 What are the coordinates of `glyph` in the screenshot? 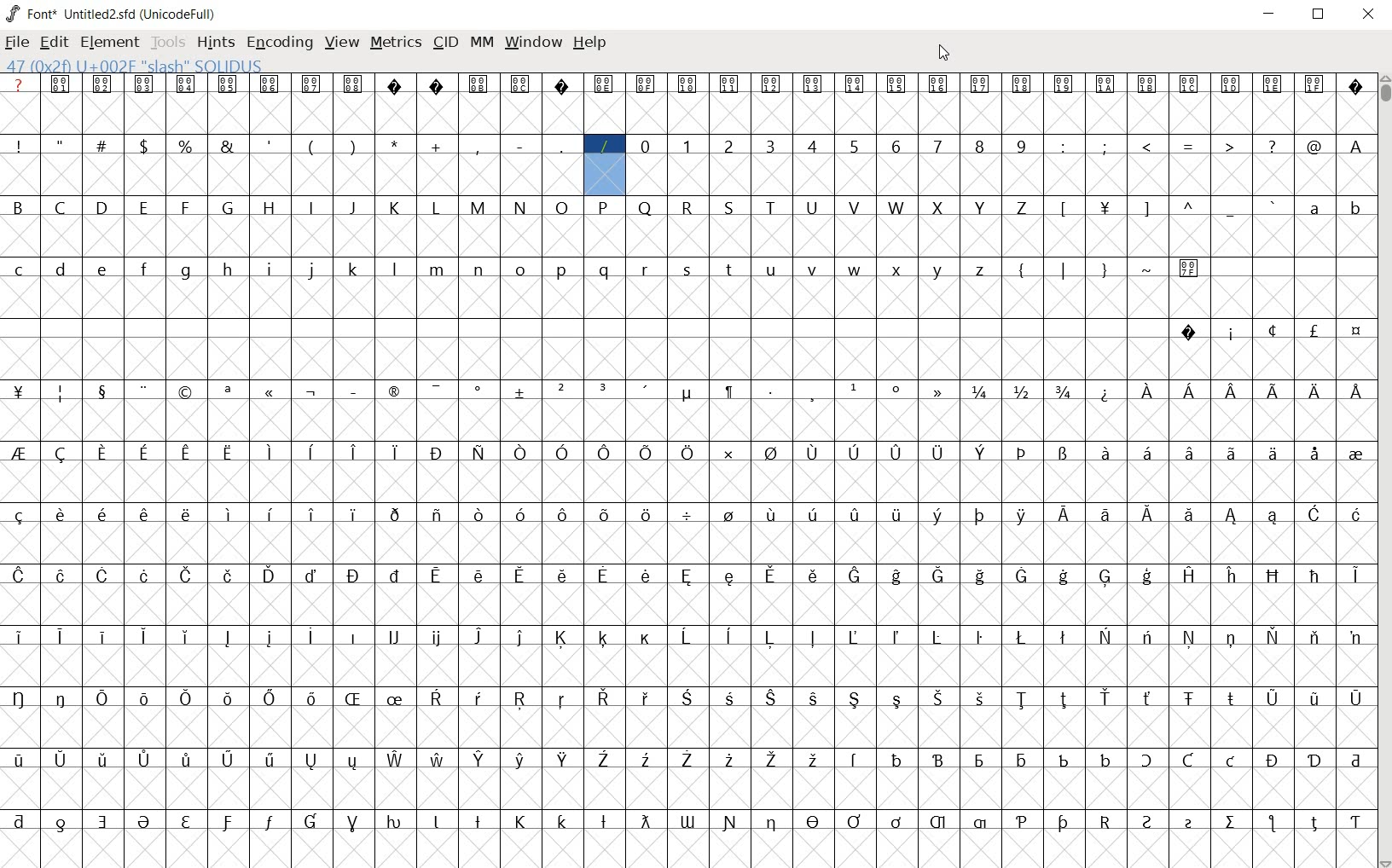 It's located at (771, 454).